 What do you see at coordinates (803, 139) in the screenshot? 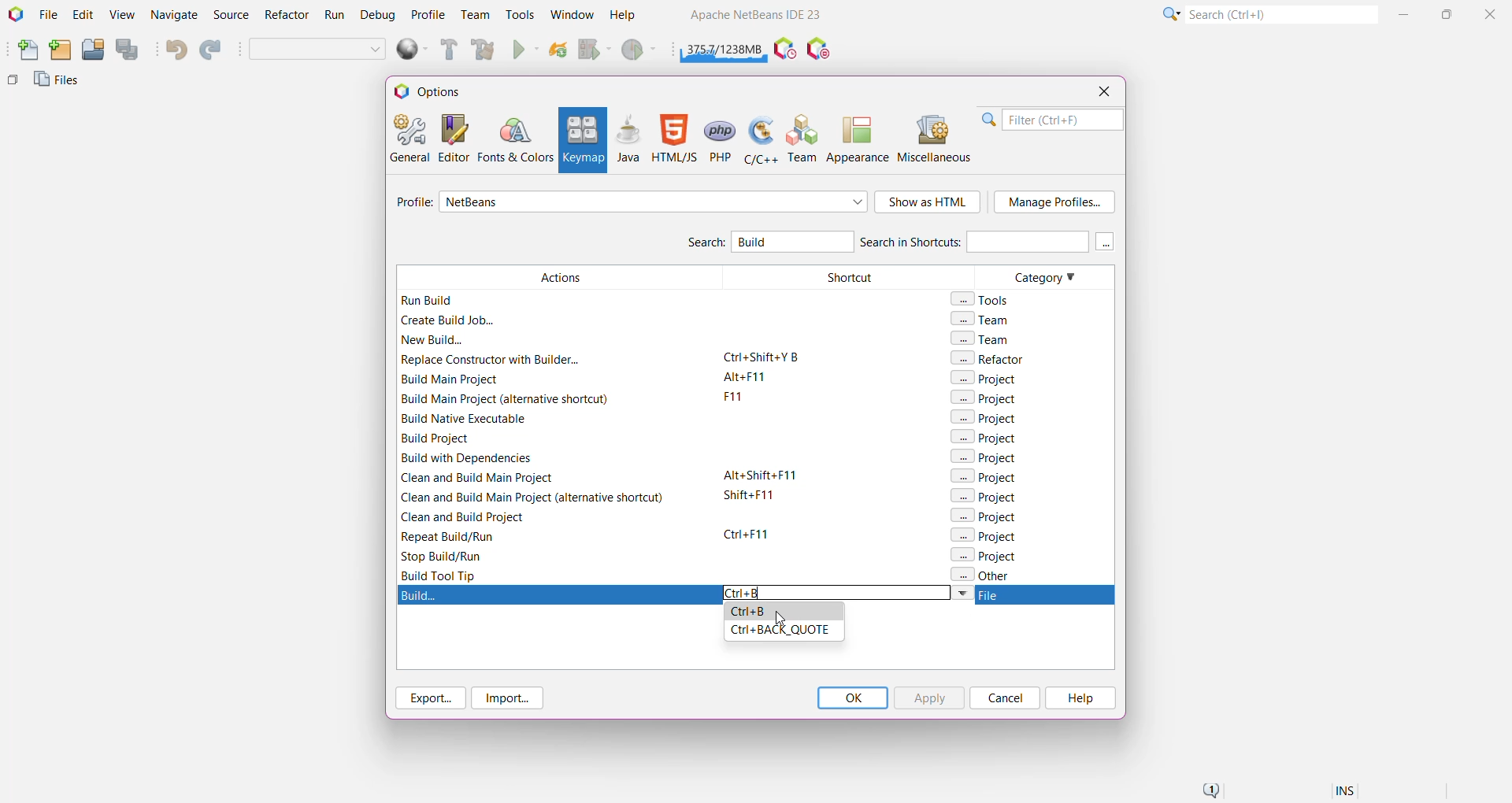
I see `Team` at bounding box center [803, 139].